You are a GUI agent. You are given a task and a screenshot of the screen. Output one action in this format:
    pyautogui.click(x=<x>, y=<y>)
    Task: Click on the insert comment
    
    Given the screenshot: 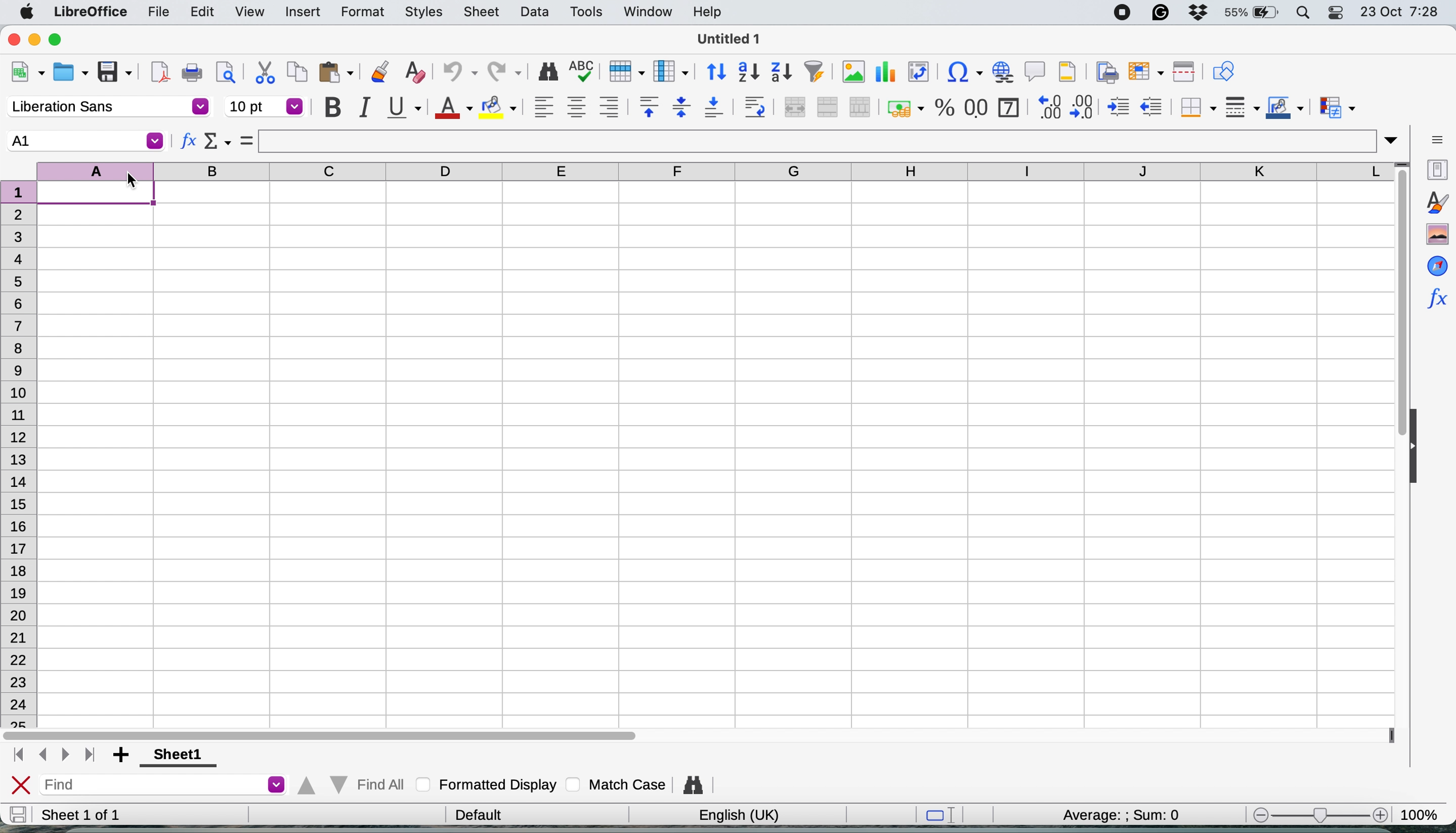 What is the action you would take?
    pyautogui.click(x=1033, y=72)
    